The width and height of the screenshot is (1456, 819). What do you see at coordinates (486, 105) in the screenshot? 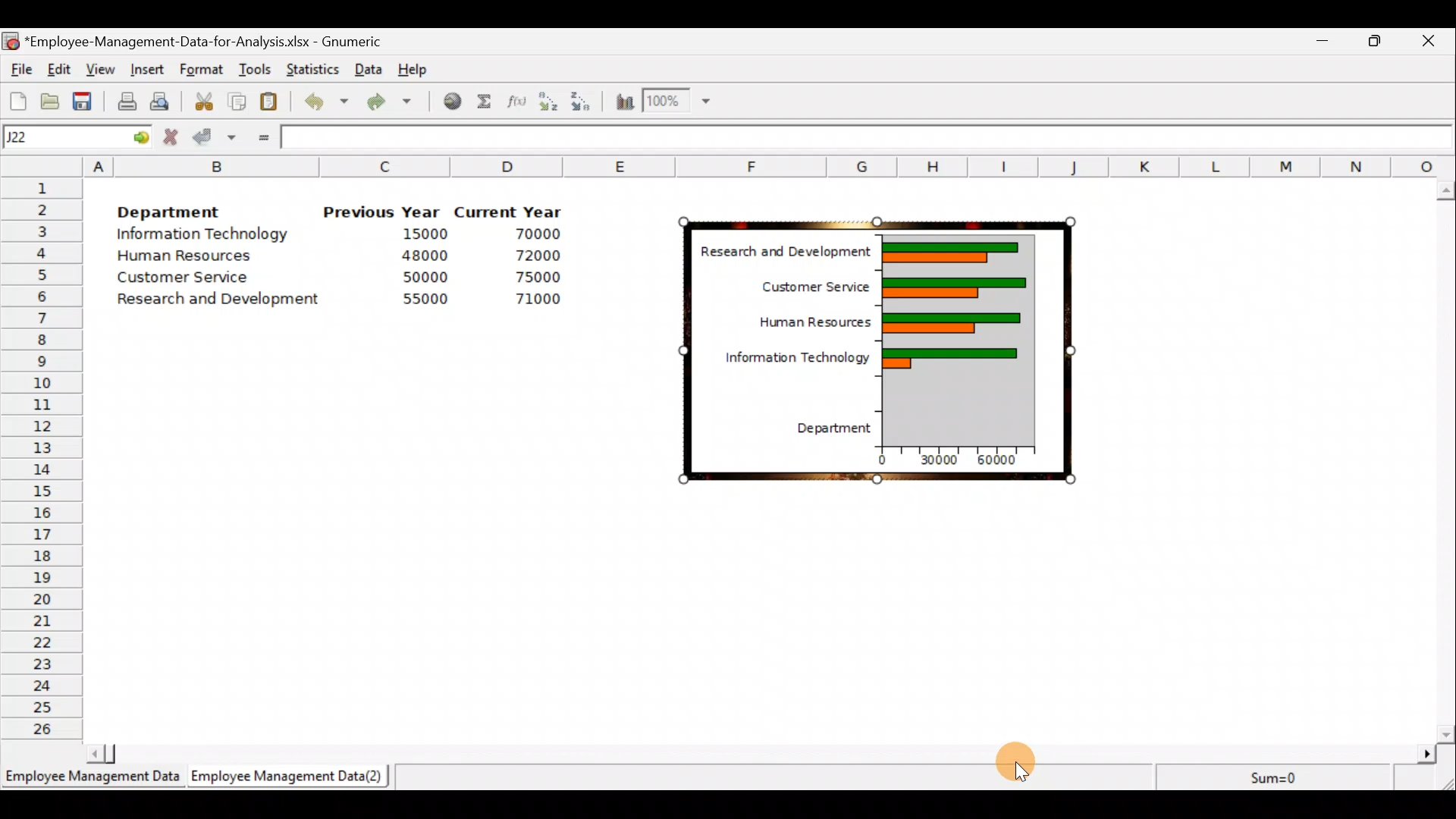
I see `Sum into the current cell` at bounding box center [486, 105].